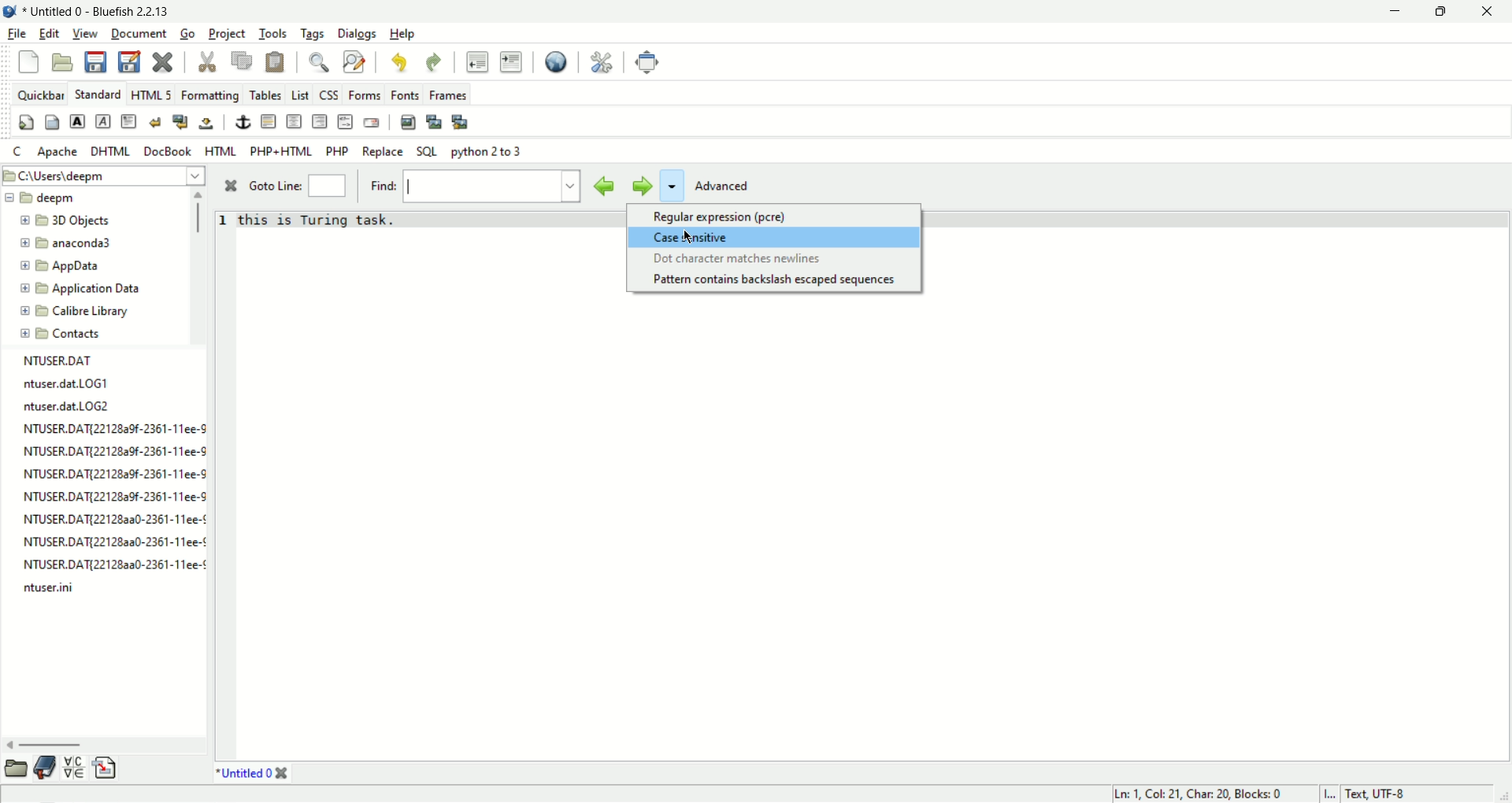 This screenshot has width=1512, height=803. What do you see at coordinates (323, 63) in the screenshot?
I see `find` at bounding box center [323, 63].